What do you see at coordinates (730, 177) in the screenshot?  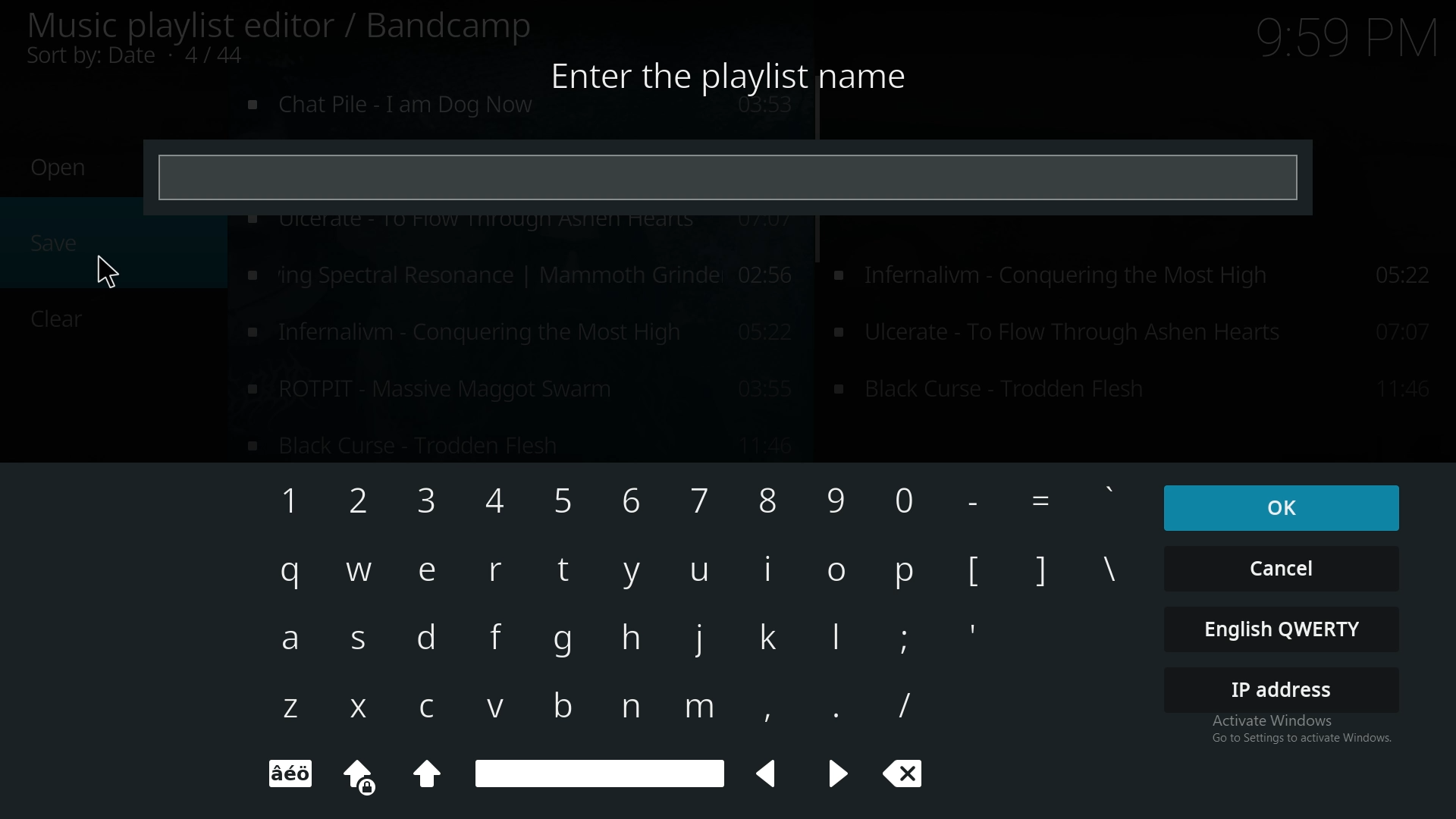 I see `name input` at bounding box center [730, 177].